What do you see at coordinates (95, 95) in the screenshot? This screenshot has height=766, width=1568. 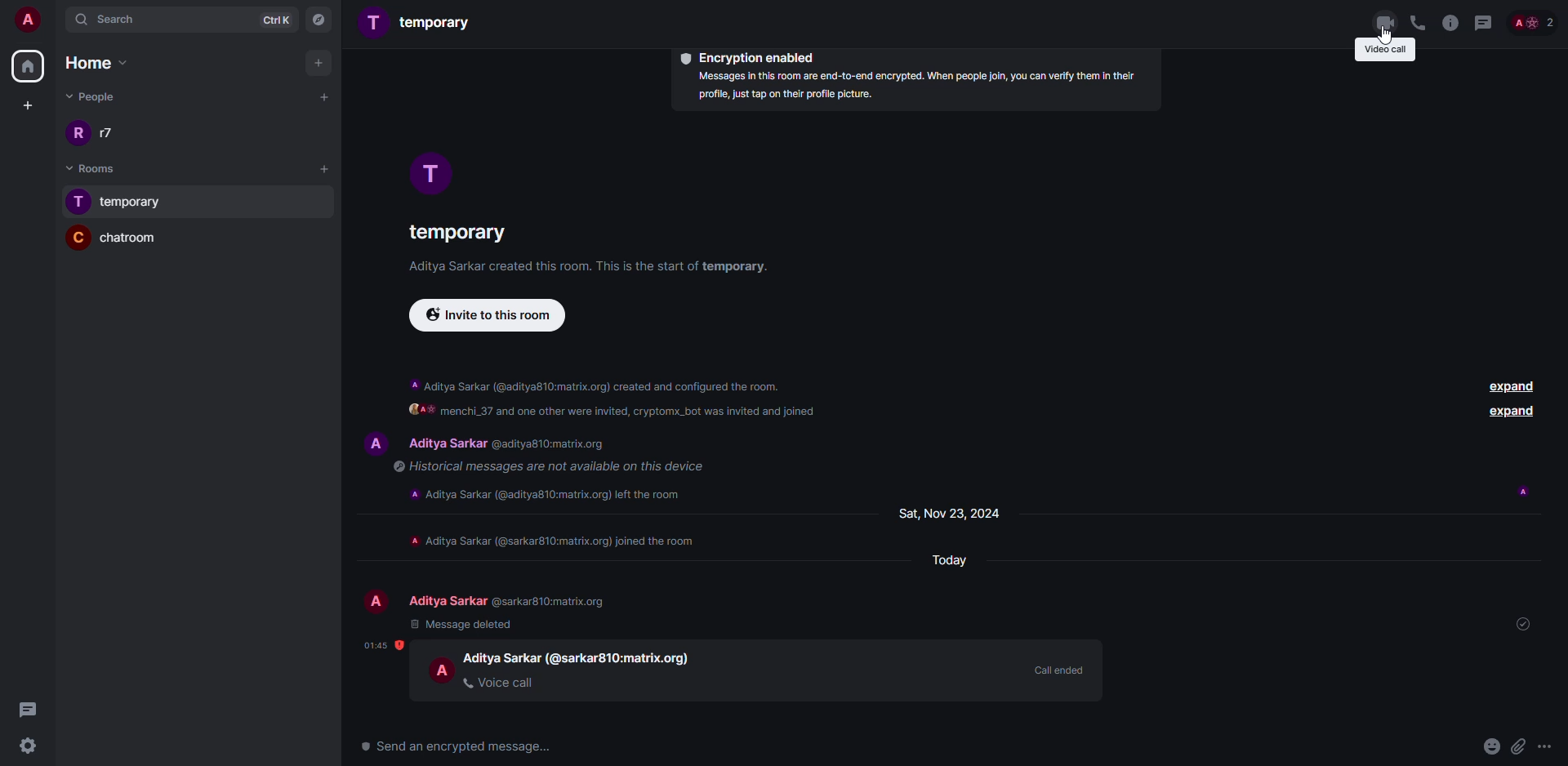 I see `people` at bounding box center [95, 95].